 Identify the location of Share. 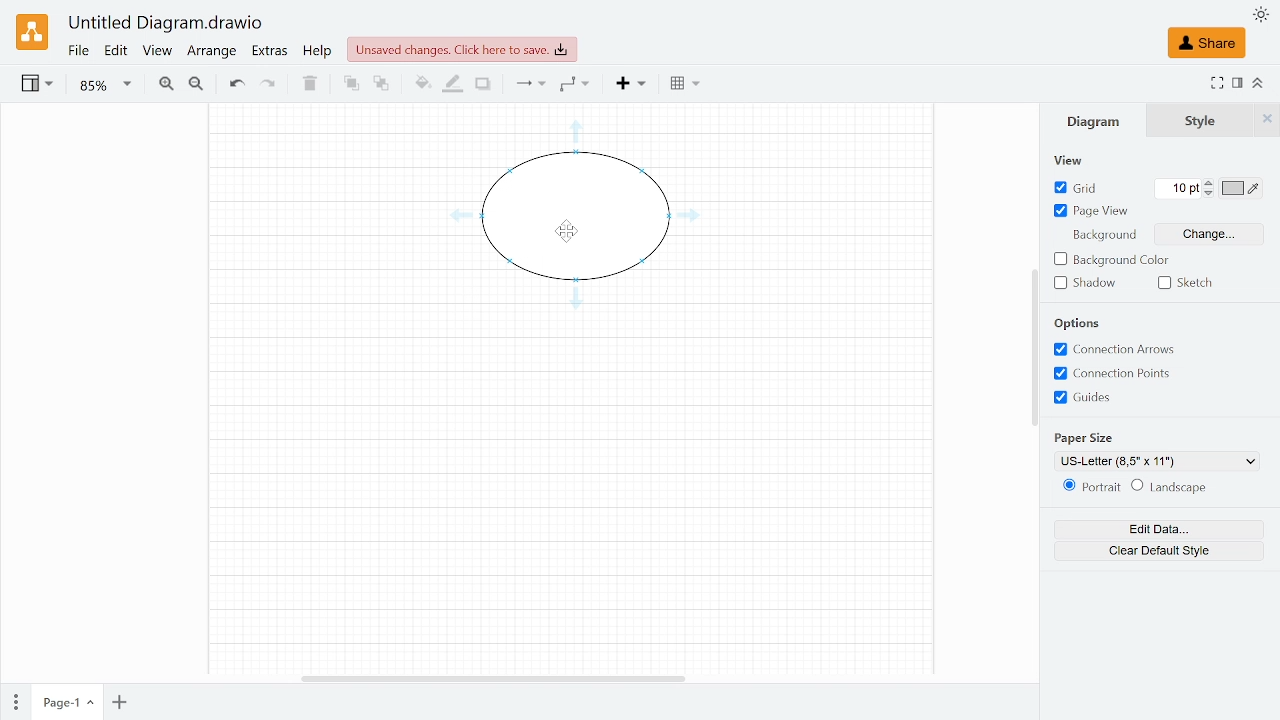
(1208, 42).